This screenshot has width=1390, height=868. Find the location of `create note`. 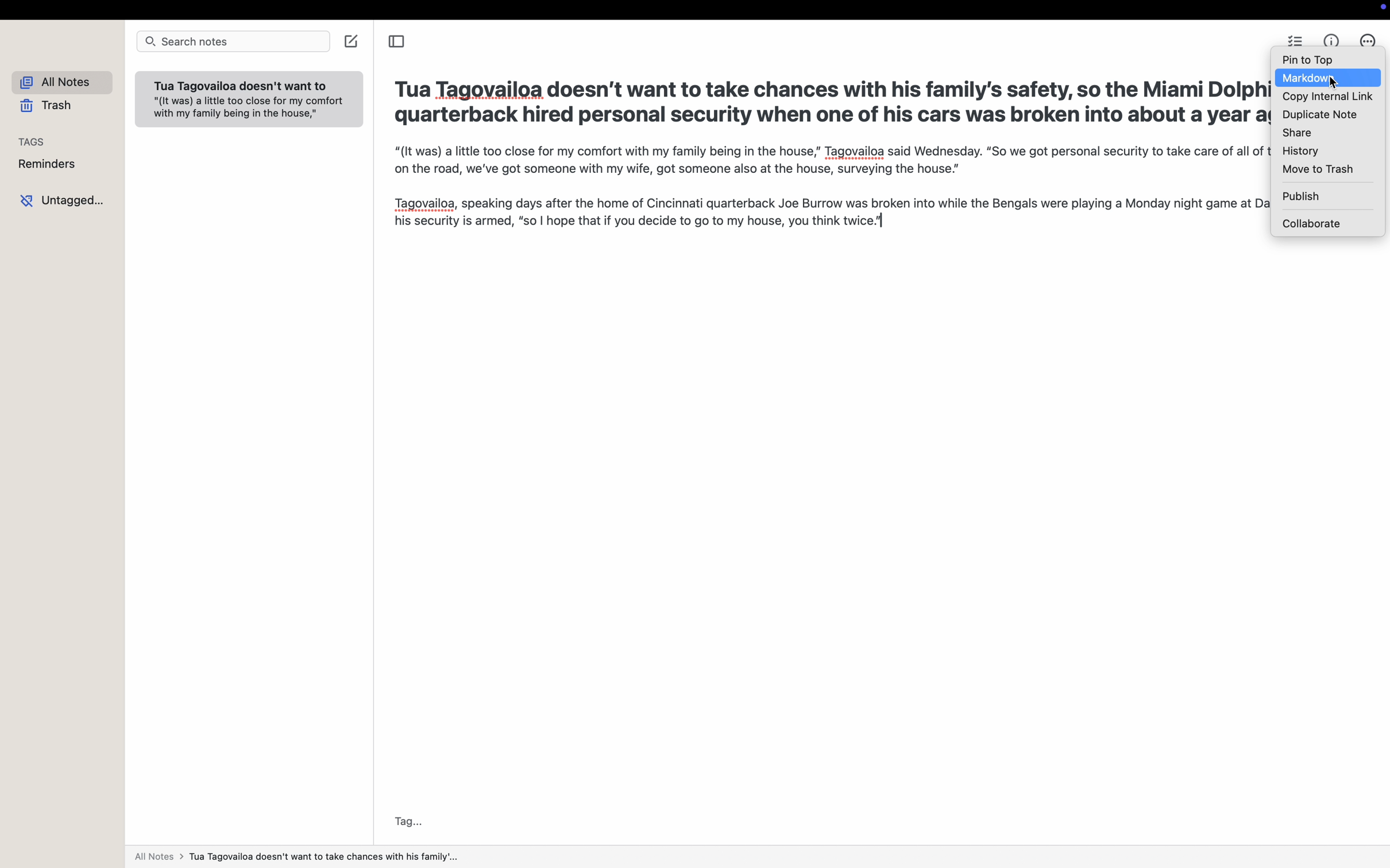

create note is located at coordinates (352, 41).